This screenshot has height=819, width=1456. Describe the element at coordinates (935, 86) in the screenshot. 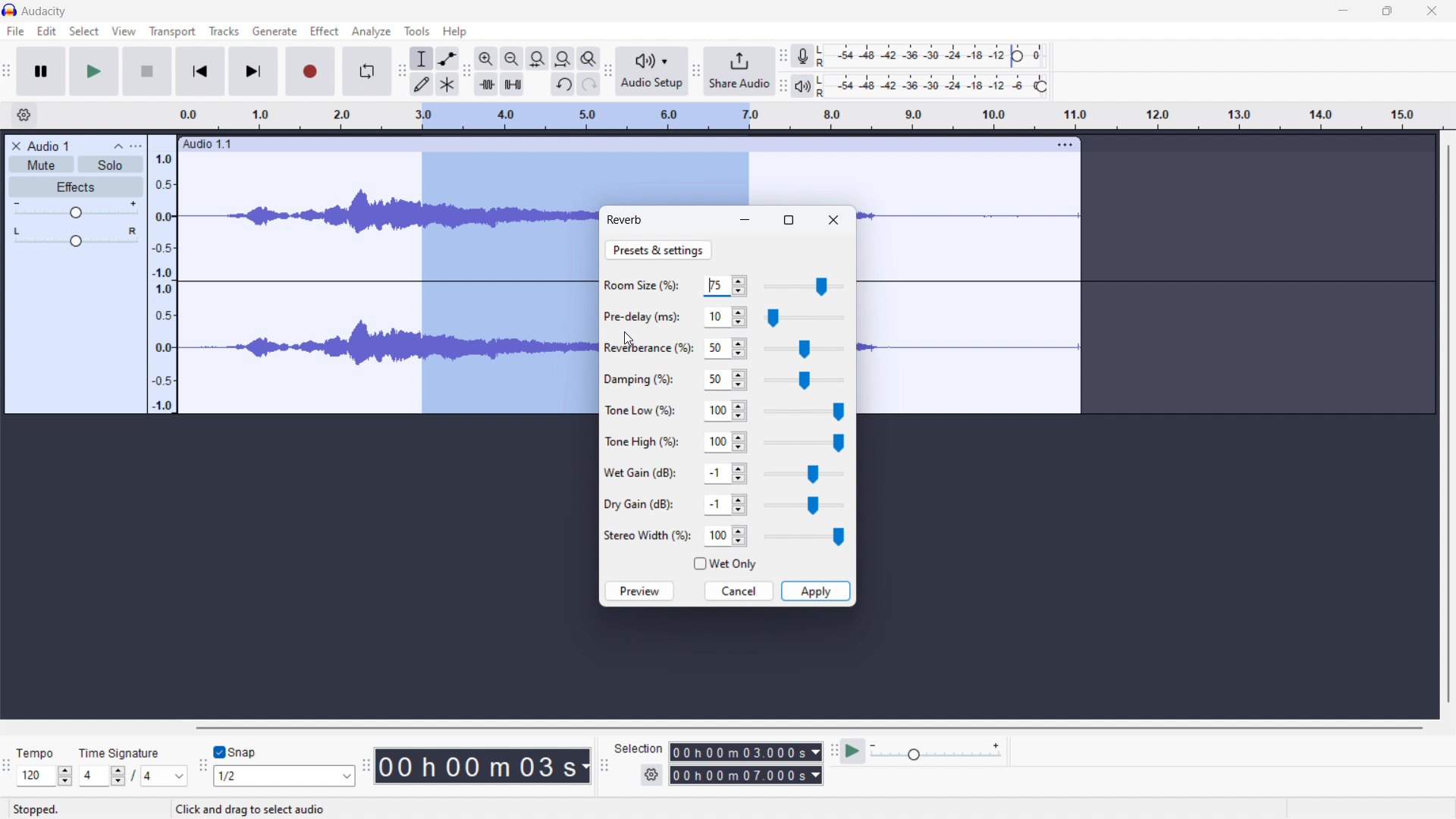

I see `playback level` at that location.